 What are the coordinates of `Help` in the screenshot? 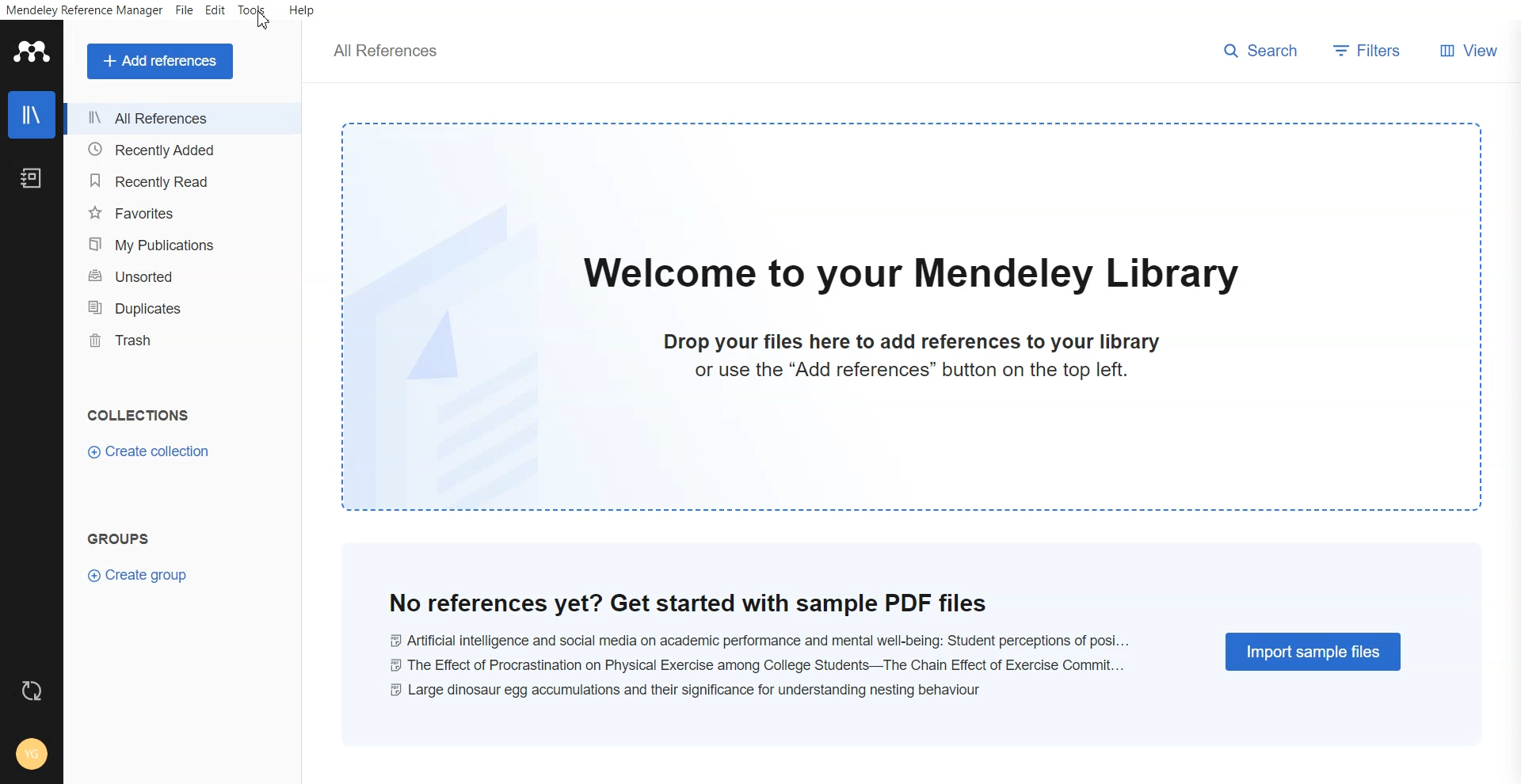 It's located at (300, 10).